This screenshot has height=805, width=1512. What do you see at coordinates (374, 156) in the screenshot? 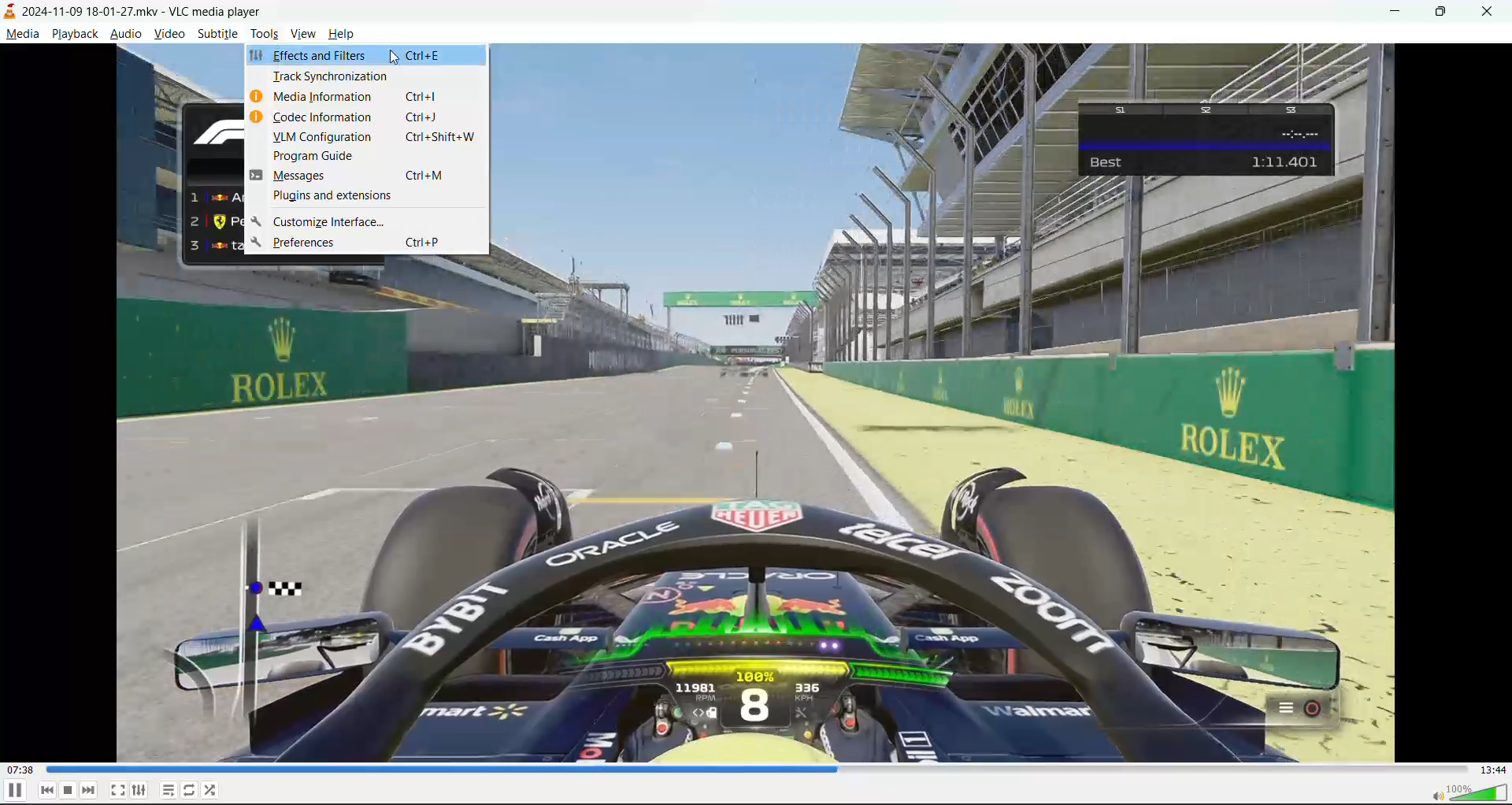
I see `program guide` at bounding box center [374, 156].